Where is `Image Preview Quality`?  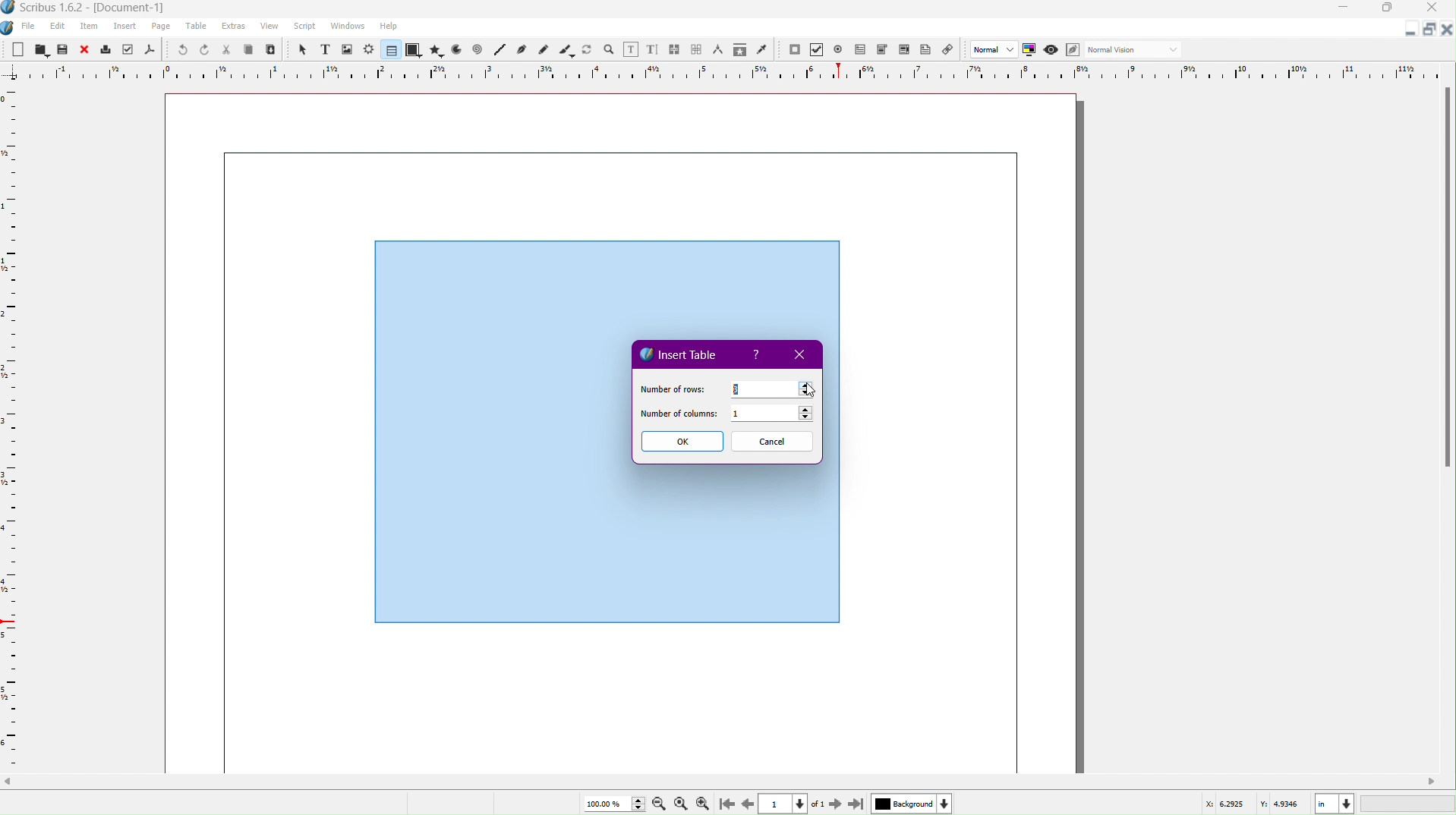
Image Preview Quality is located at coordinates (994, 49).